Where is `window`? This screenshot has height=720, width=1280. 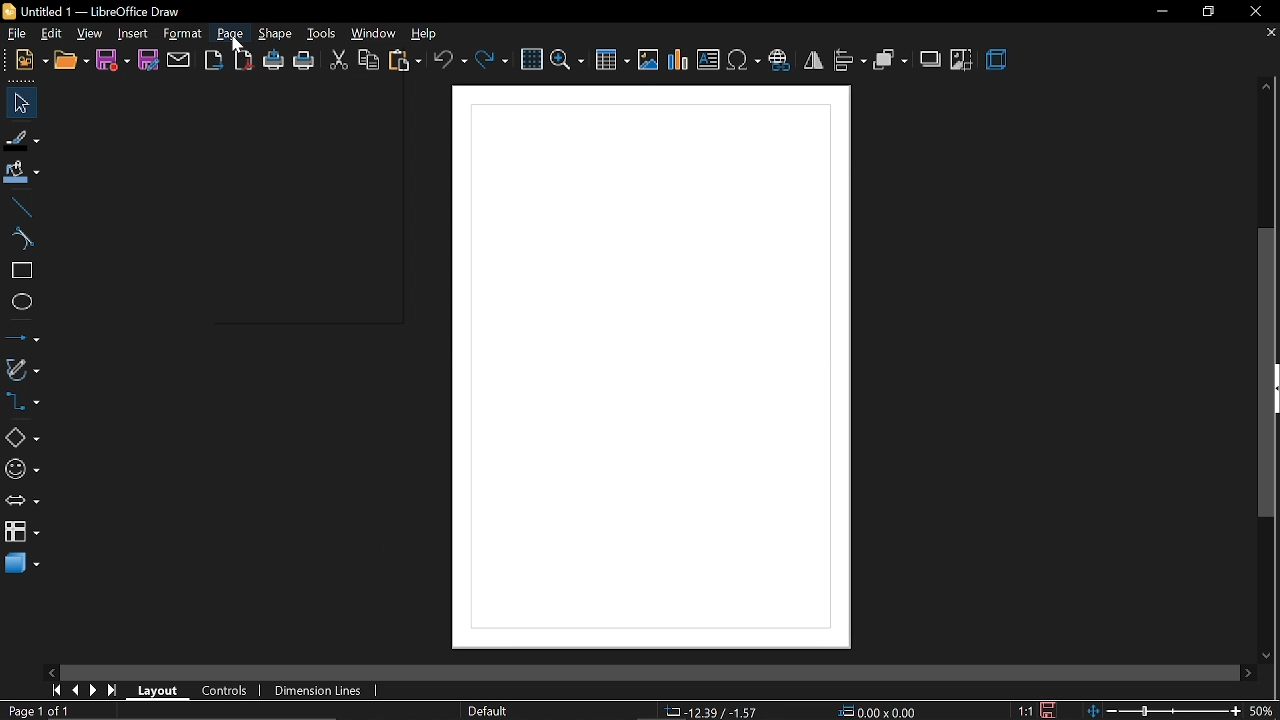 window is located at coordinates (372, 35).